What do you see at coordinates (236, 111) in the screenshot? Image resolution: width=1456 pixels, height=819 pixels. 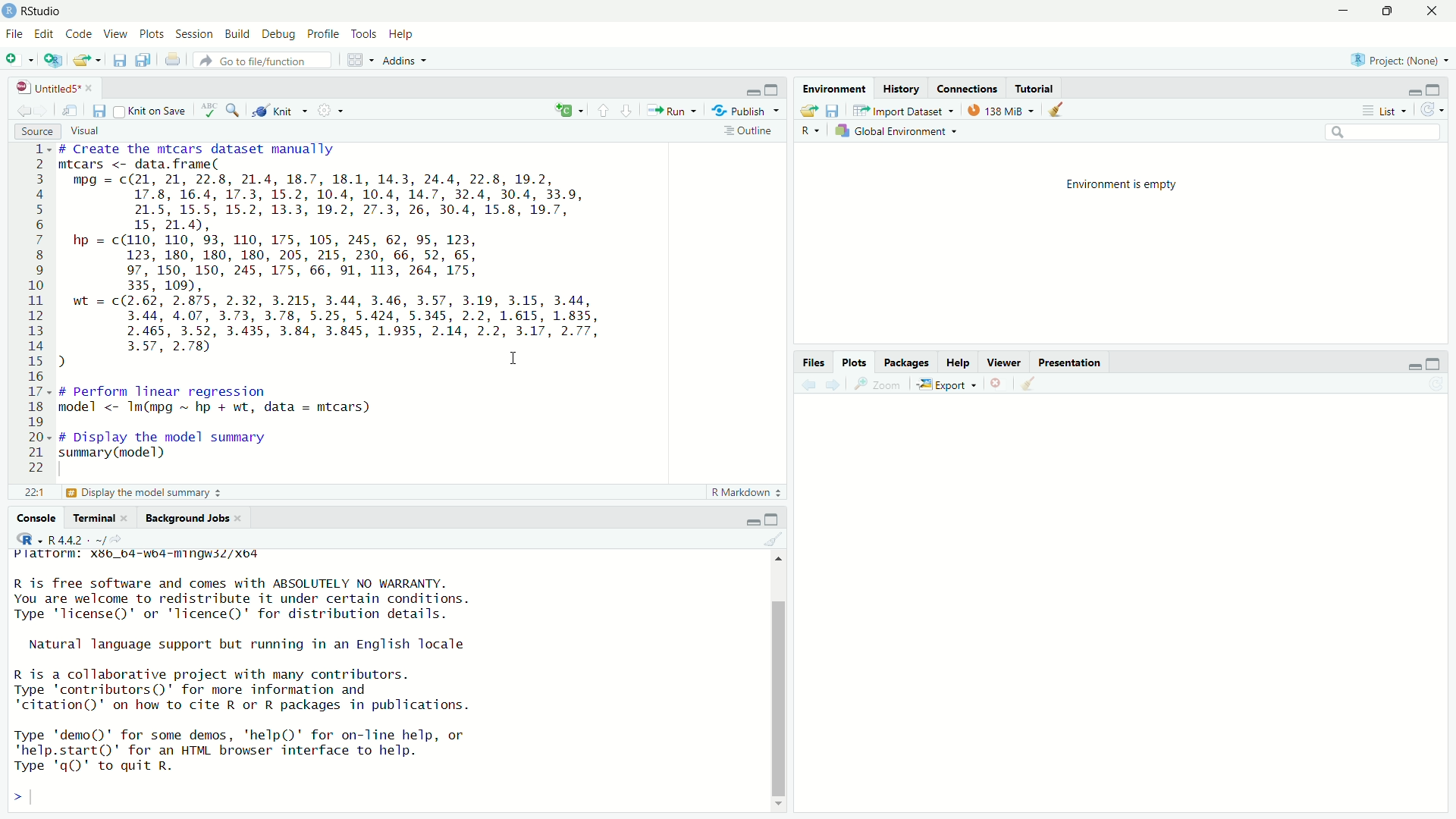 I see `search` at bounding box center [236, 111].